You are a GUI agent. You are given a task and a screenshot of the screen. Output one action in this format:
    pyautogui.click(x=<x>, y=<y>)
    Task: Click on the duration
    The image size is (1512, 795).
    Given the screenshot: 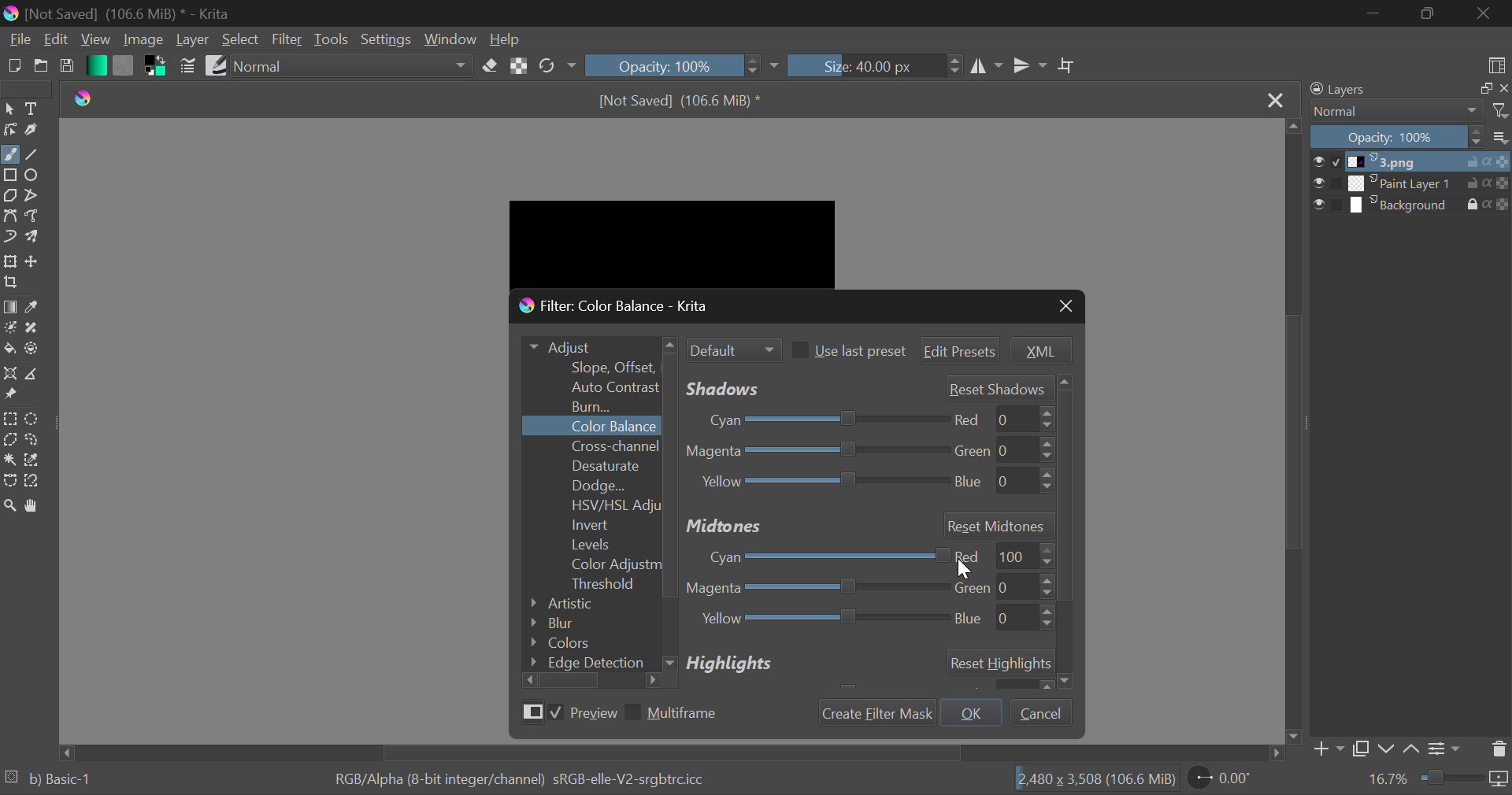 What is the action you would take?
    pyautogui.click(x=1465, y=781)
    